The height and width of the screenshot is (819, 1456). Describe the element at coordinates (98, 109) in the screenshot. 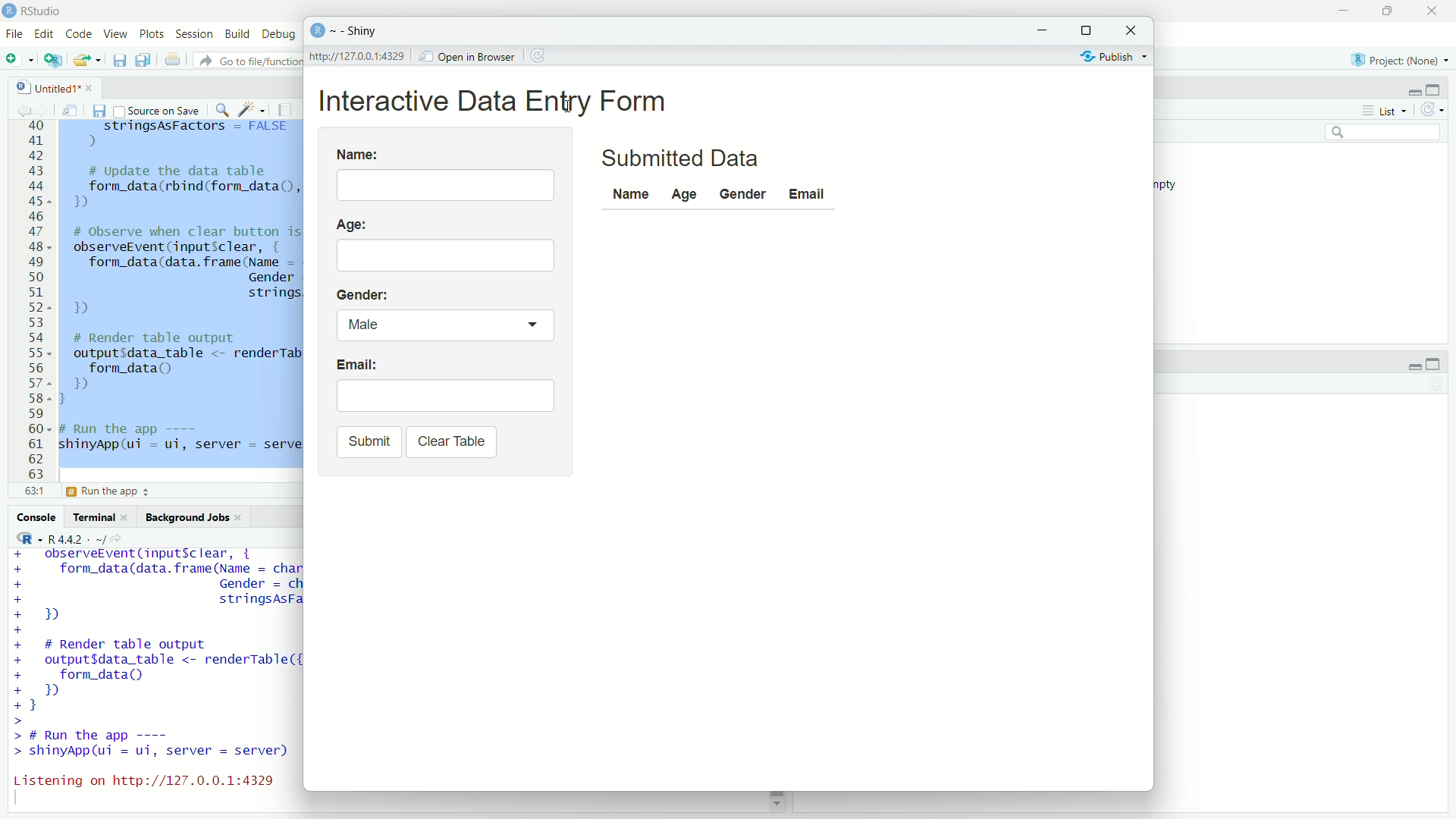

I see `save current document` at that location.